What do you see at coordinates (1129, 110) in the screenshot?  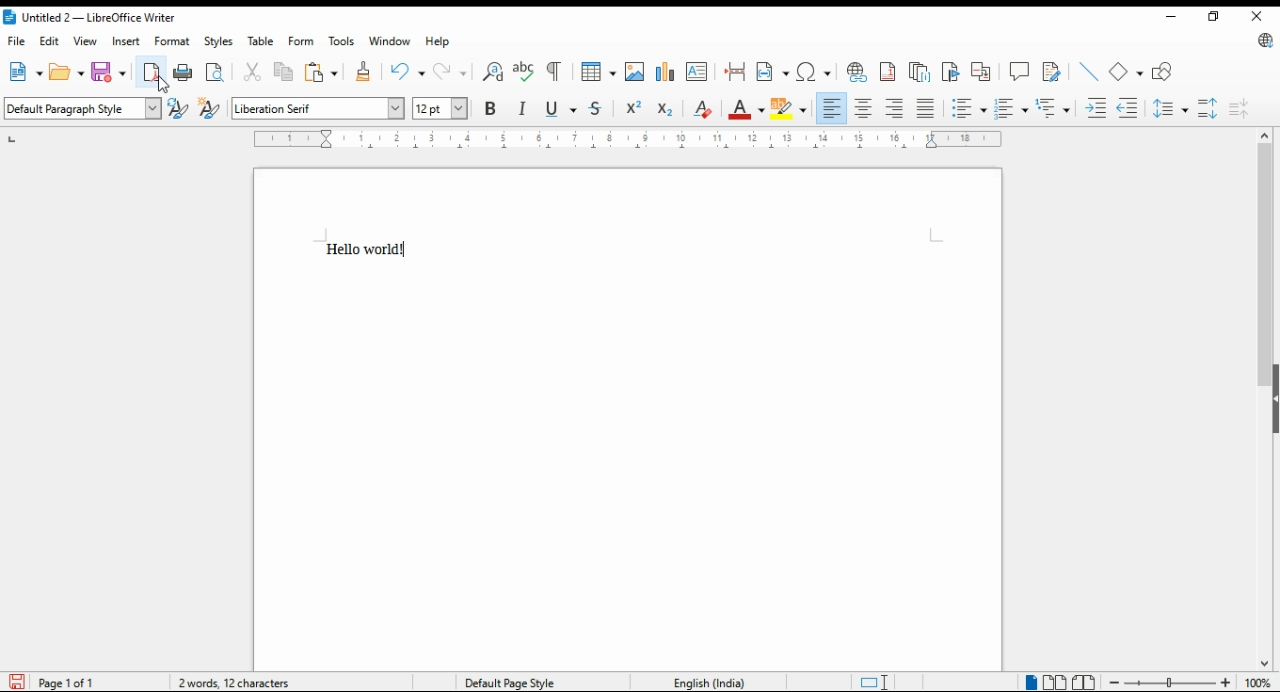 I see `decrease indent` at bounding box center [1129, 110].